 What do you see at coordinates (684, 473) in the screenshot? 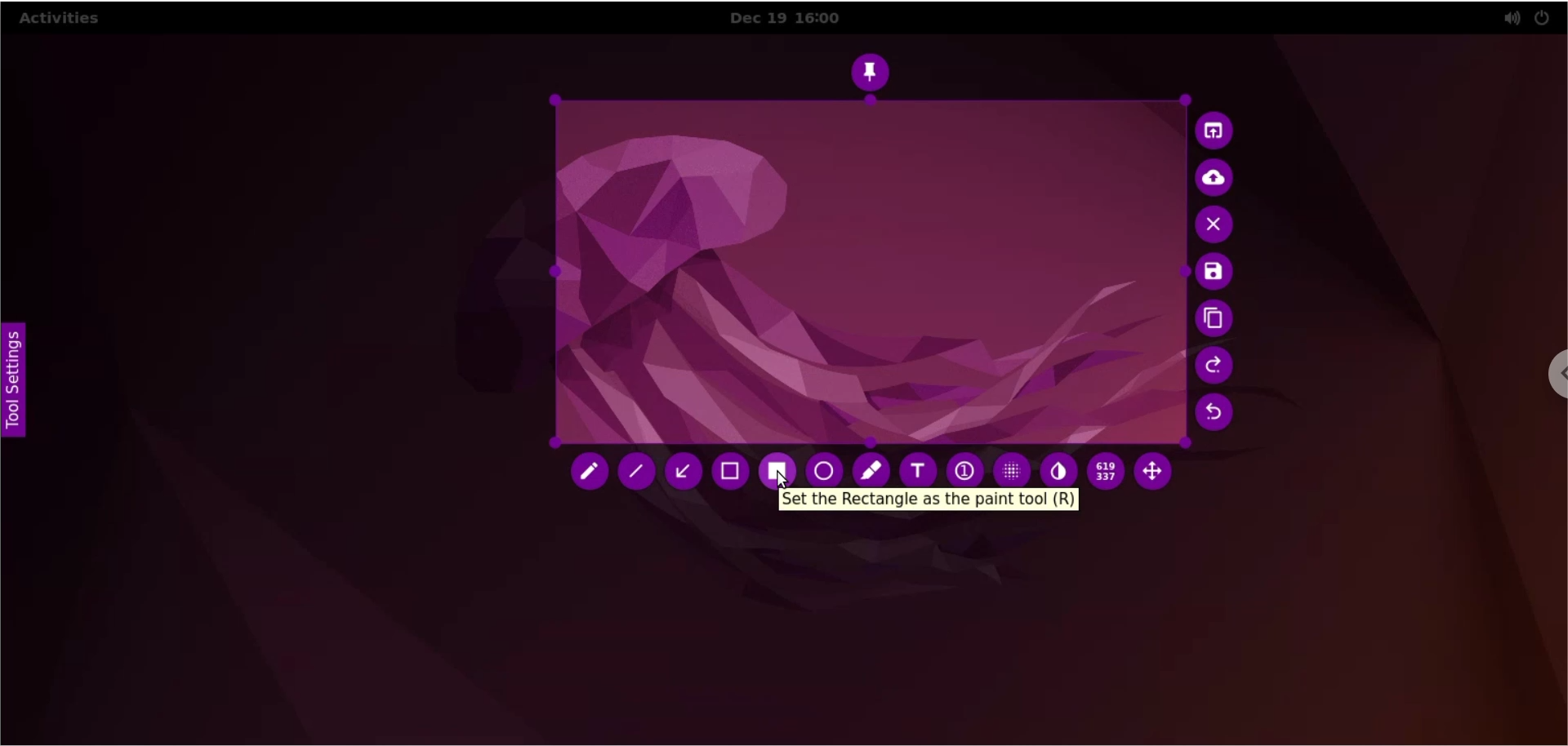
I see `arrow tool` at bounding box center [684, 473].